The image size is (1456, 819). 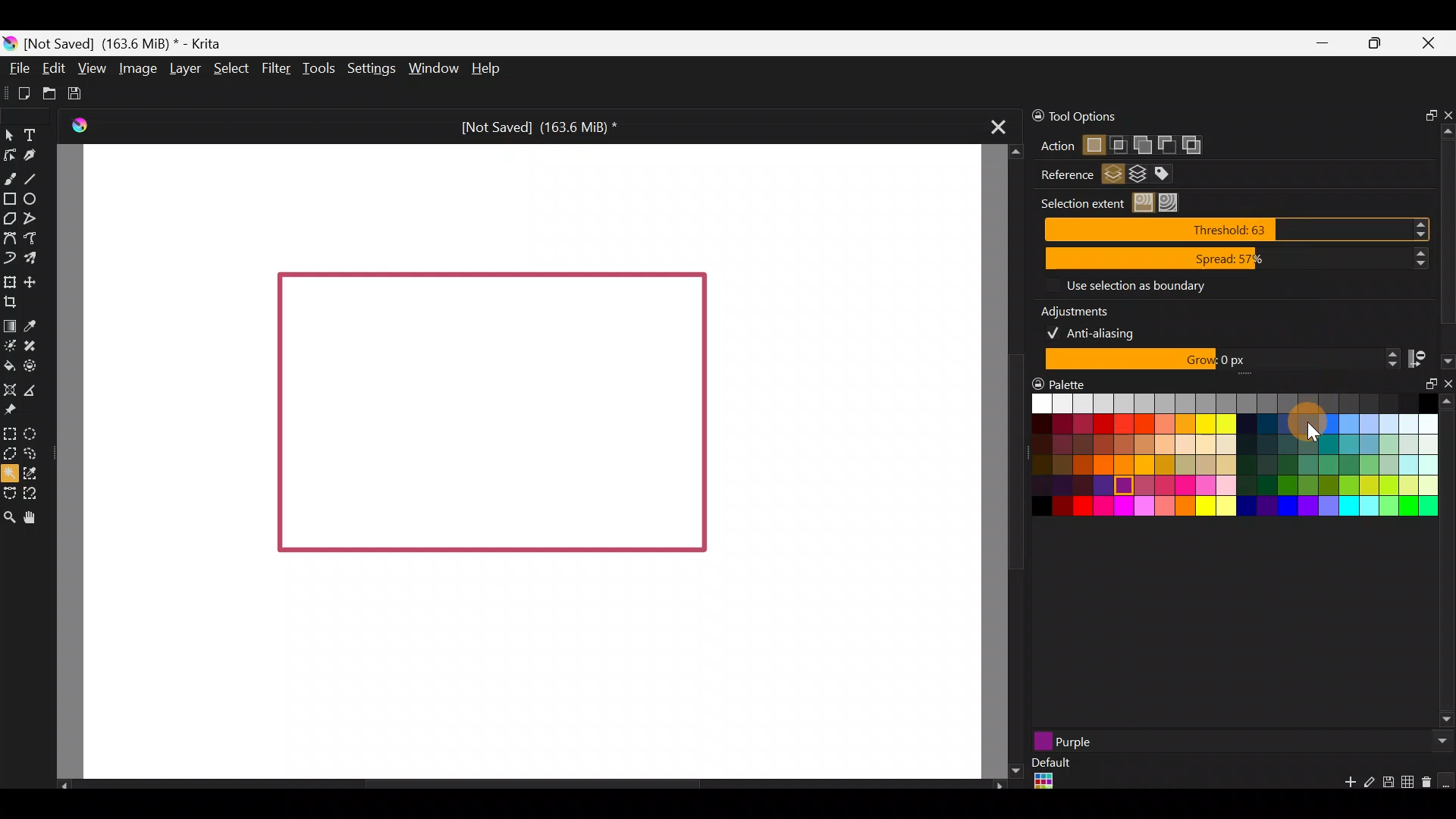 I want to click on File, so click(x=20, y=67).